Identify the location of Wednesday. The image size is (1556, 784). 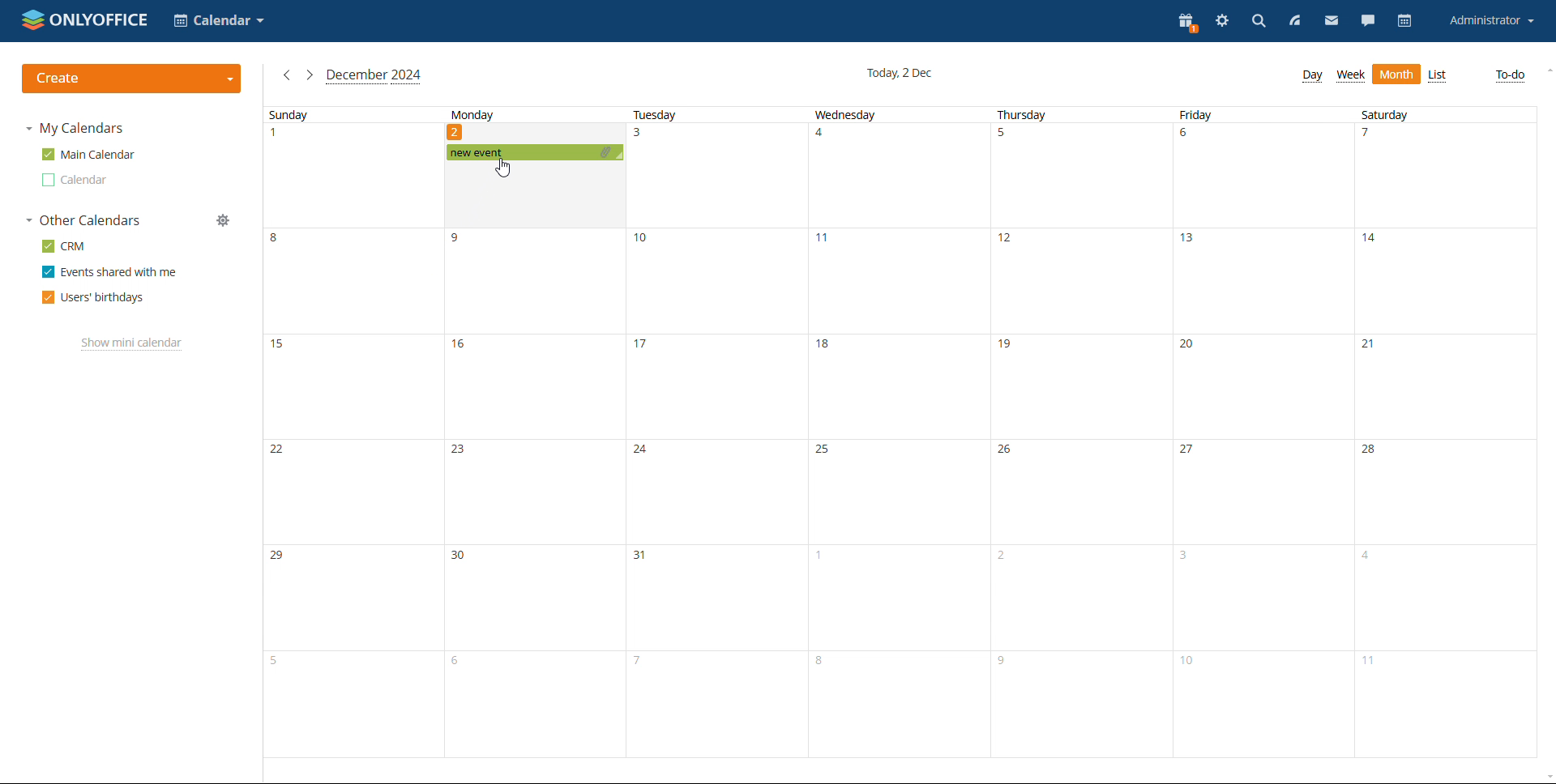
(844, 116).